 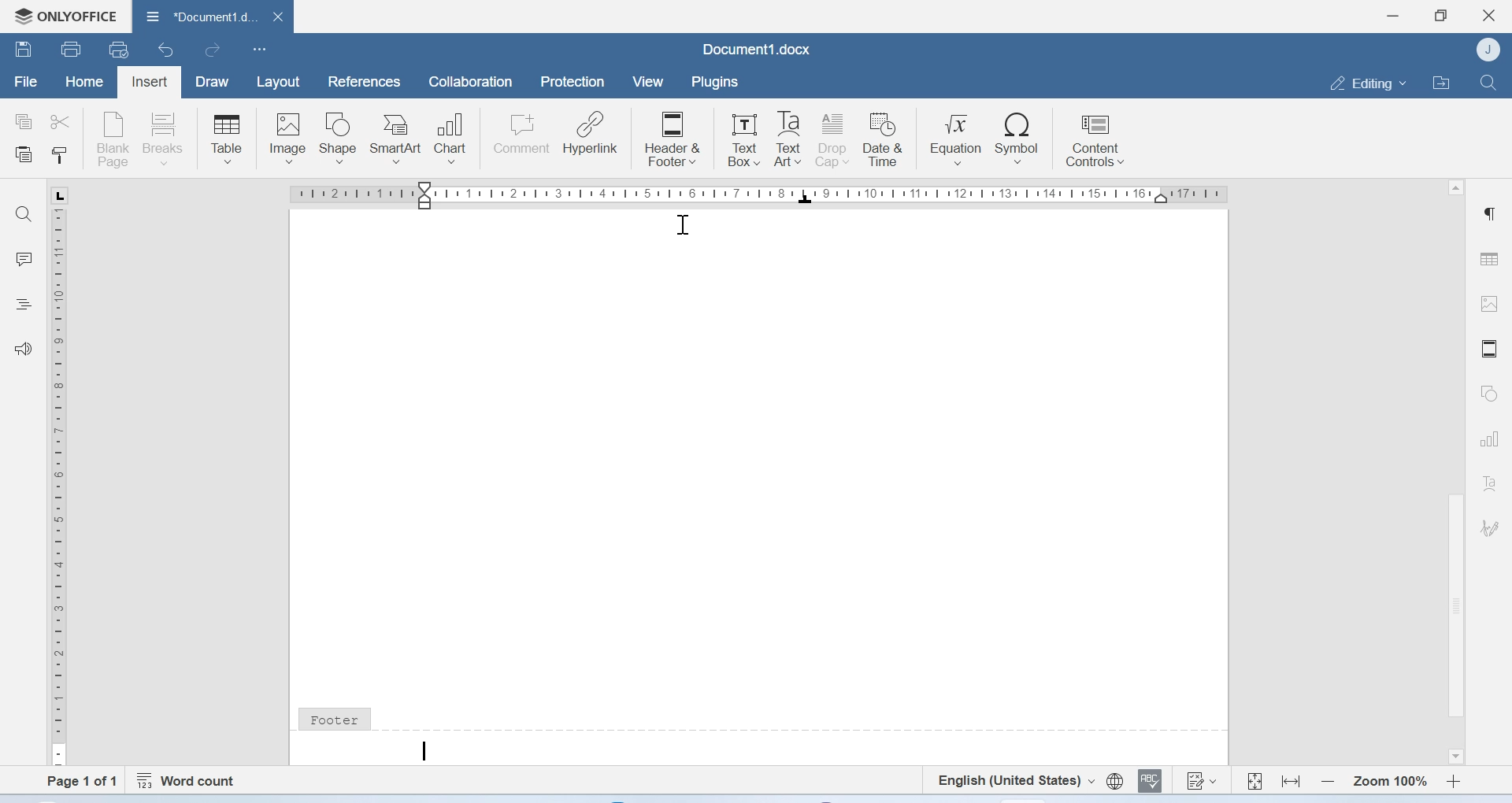 I want to click on Footer, so click(x=334, y=717).